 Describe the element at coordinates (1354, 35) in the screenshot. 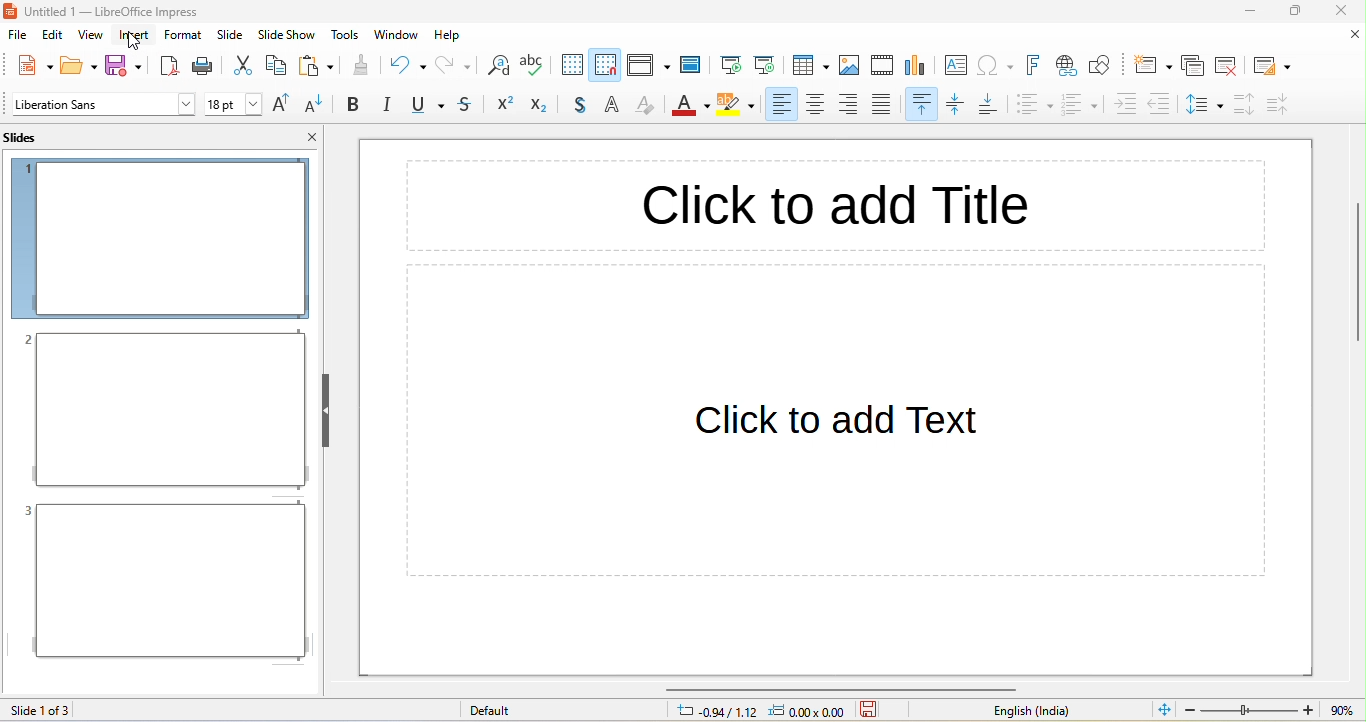

I see `close` at that location.